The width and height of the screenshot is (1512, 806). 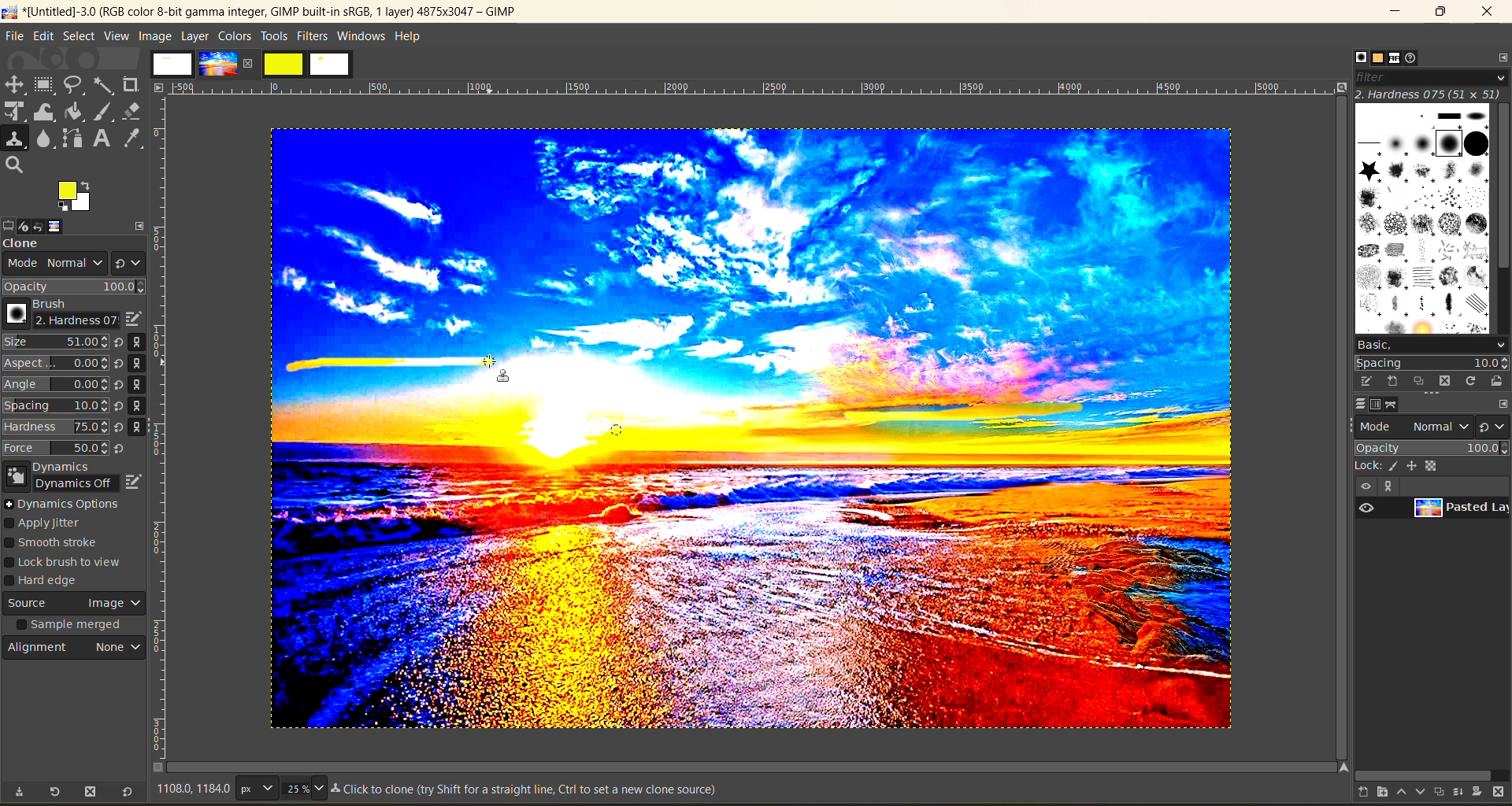 I want to click on smdge tool, so click(x=45, y=140).